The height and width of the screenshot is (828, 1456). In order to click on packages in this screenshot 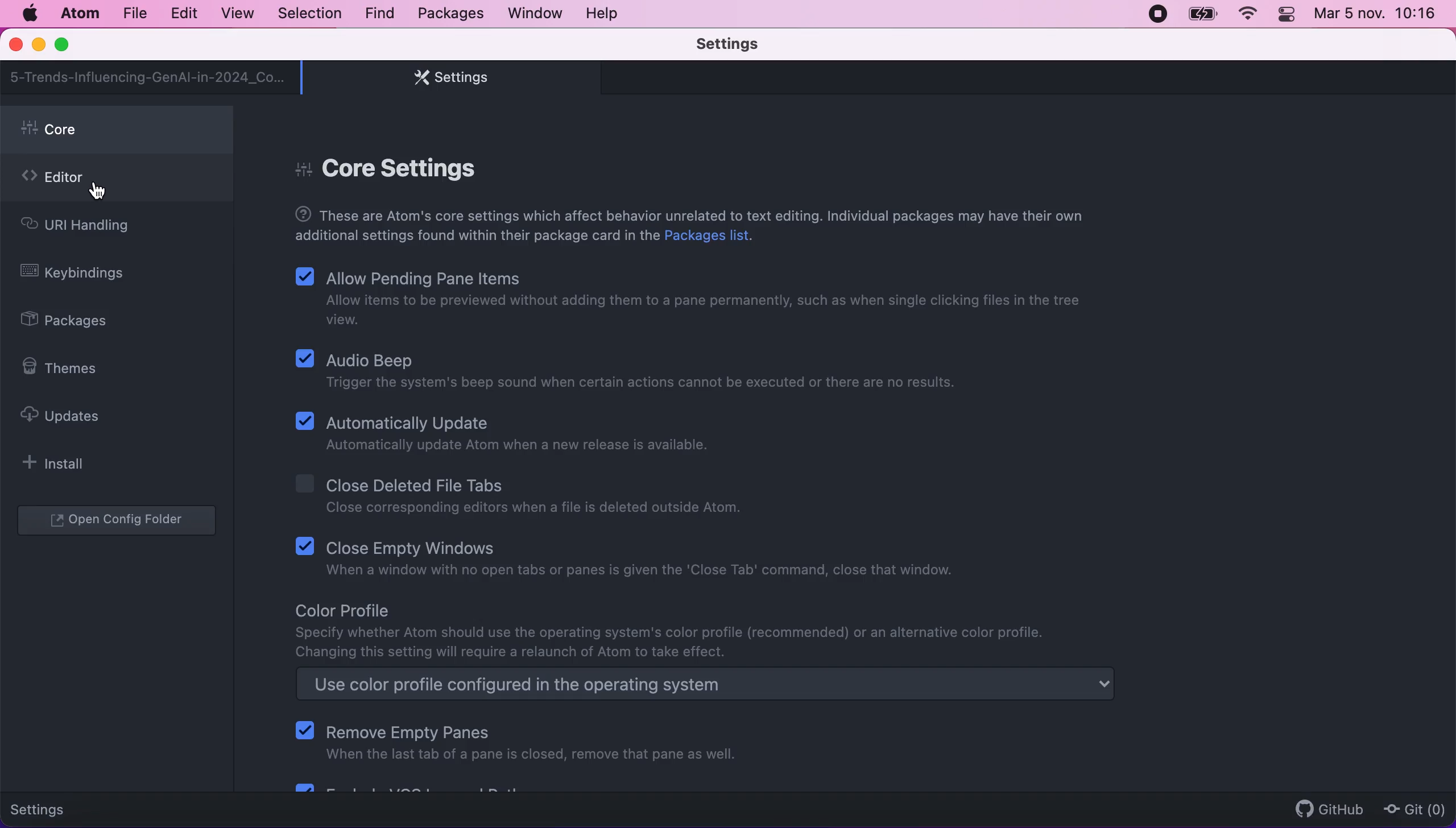, I will do `click(449, 14)`.